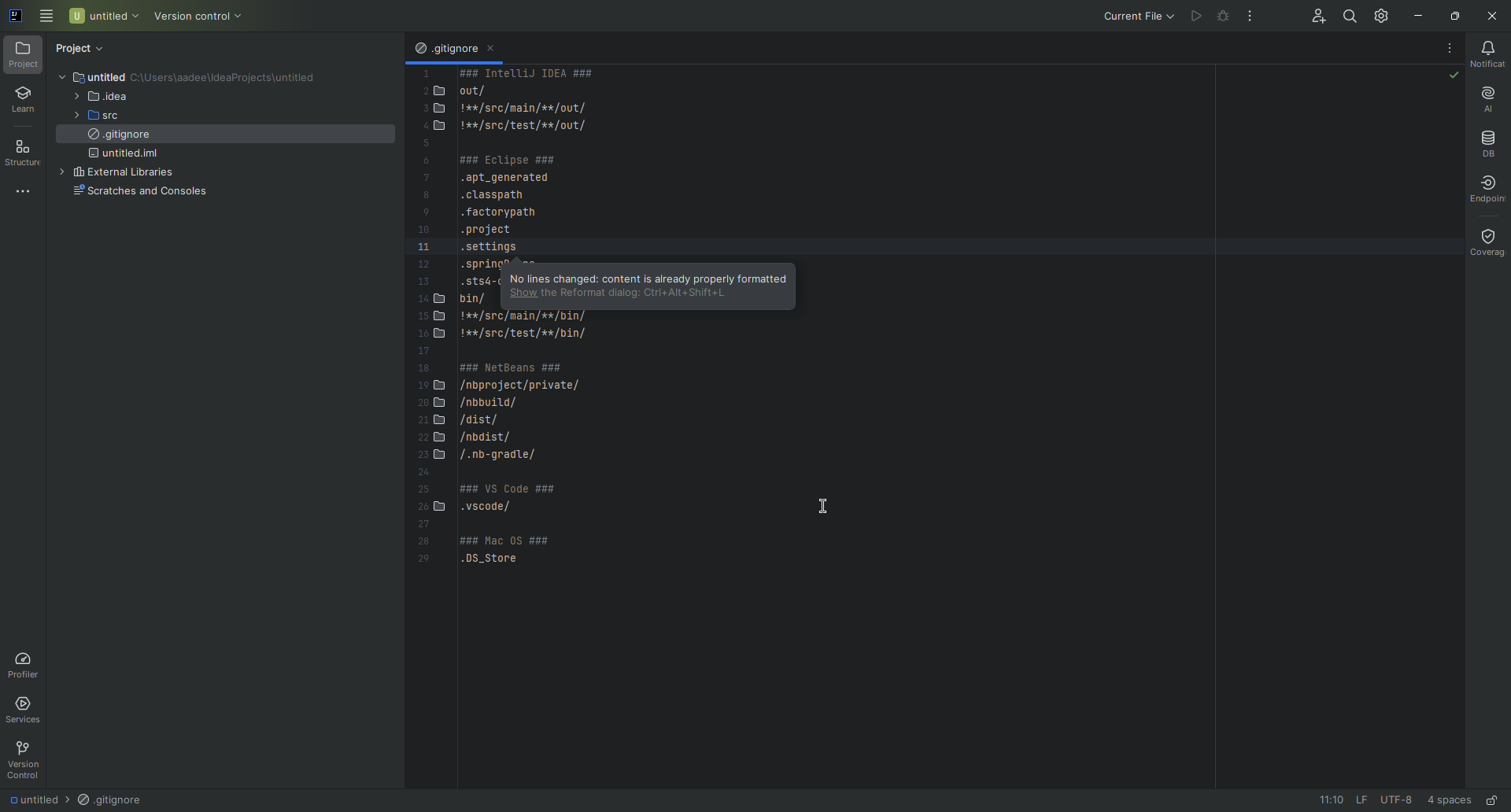  I want to click on Current file, so click(1132, 15).